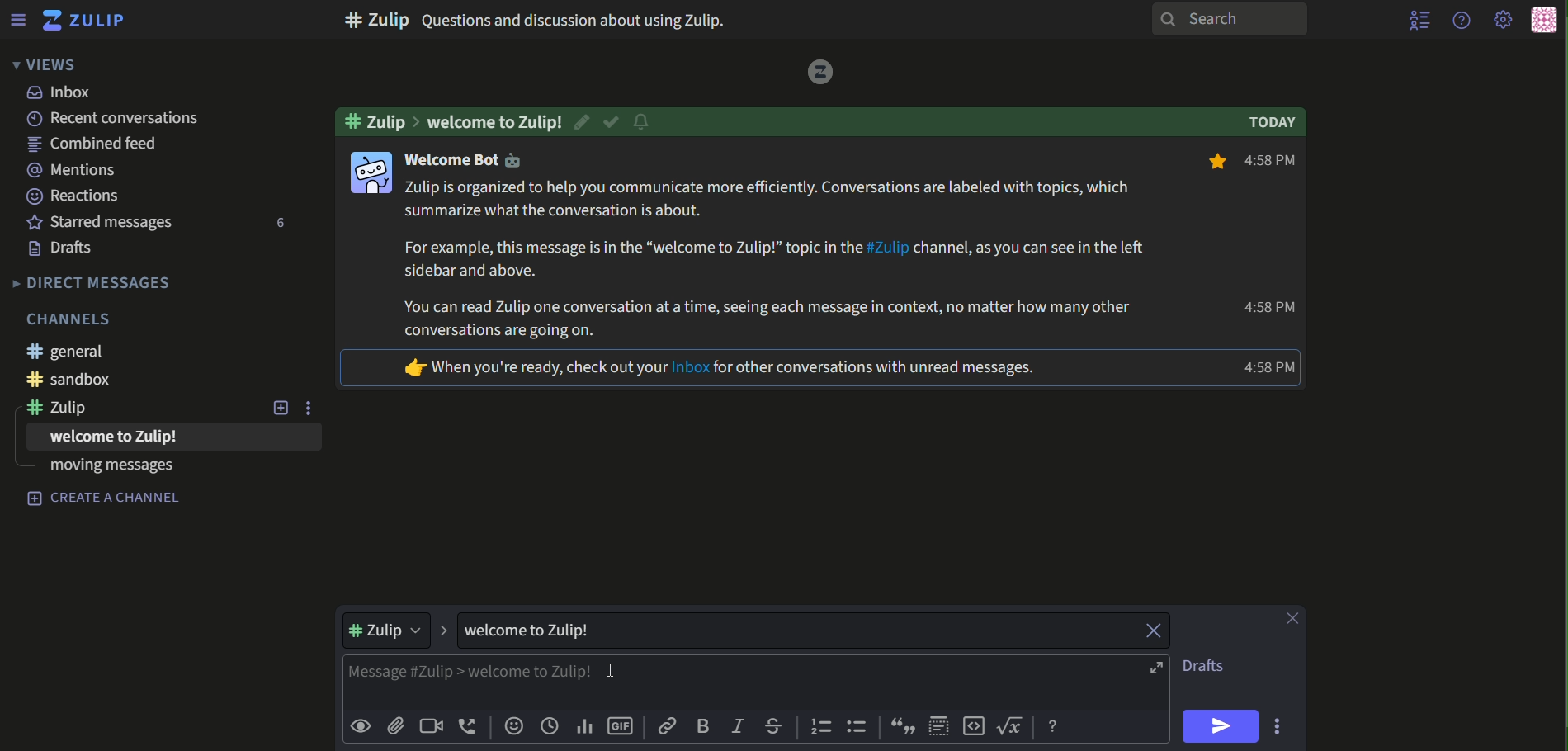 The image size is (1568, 751). What do you see at coordinates (1276, 162) in the screenshot?
I see `text` at bounding box center [1276, 162].